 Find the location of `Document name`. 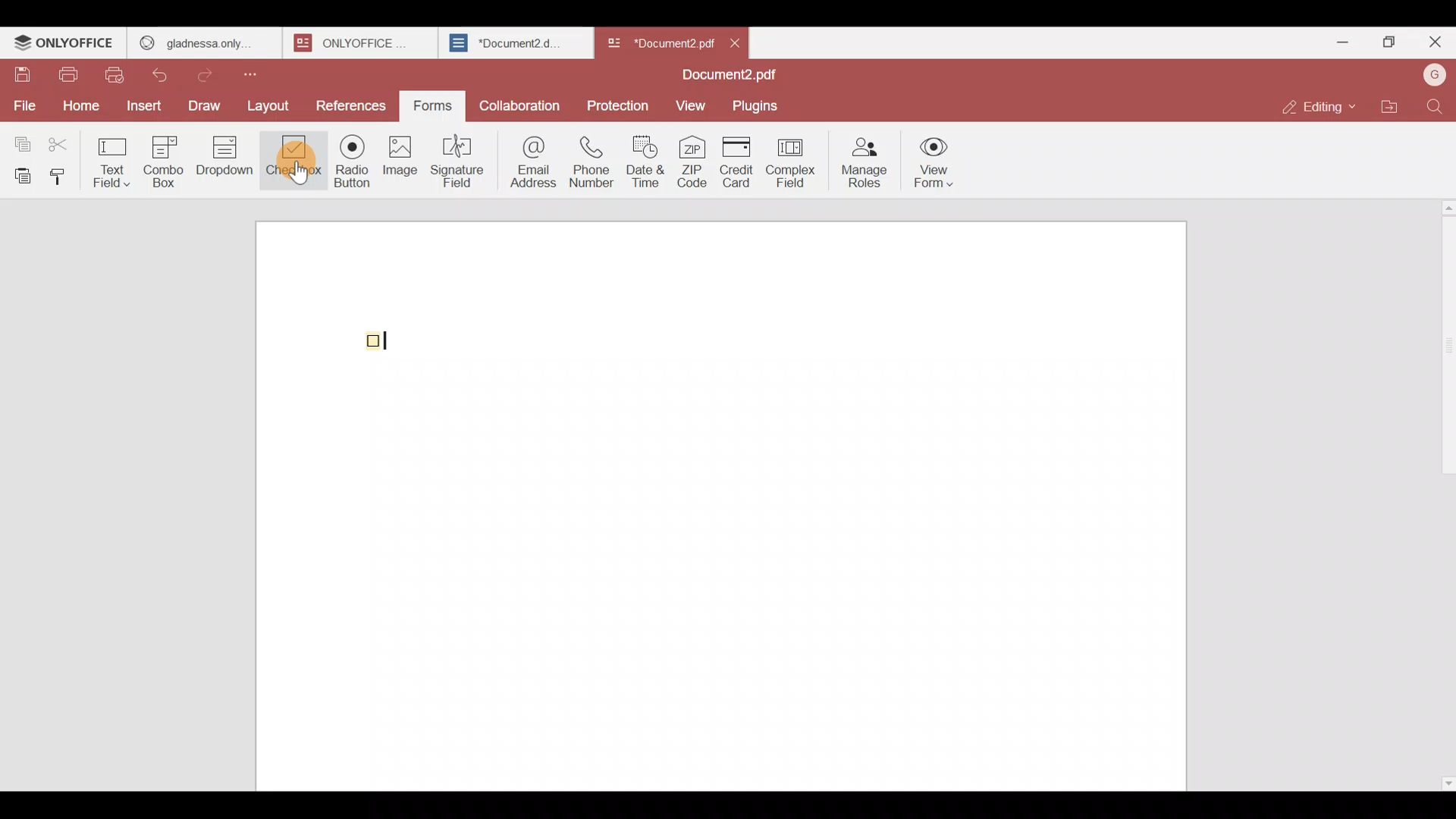

Document name is located at coordinates (659, 39).